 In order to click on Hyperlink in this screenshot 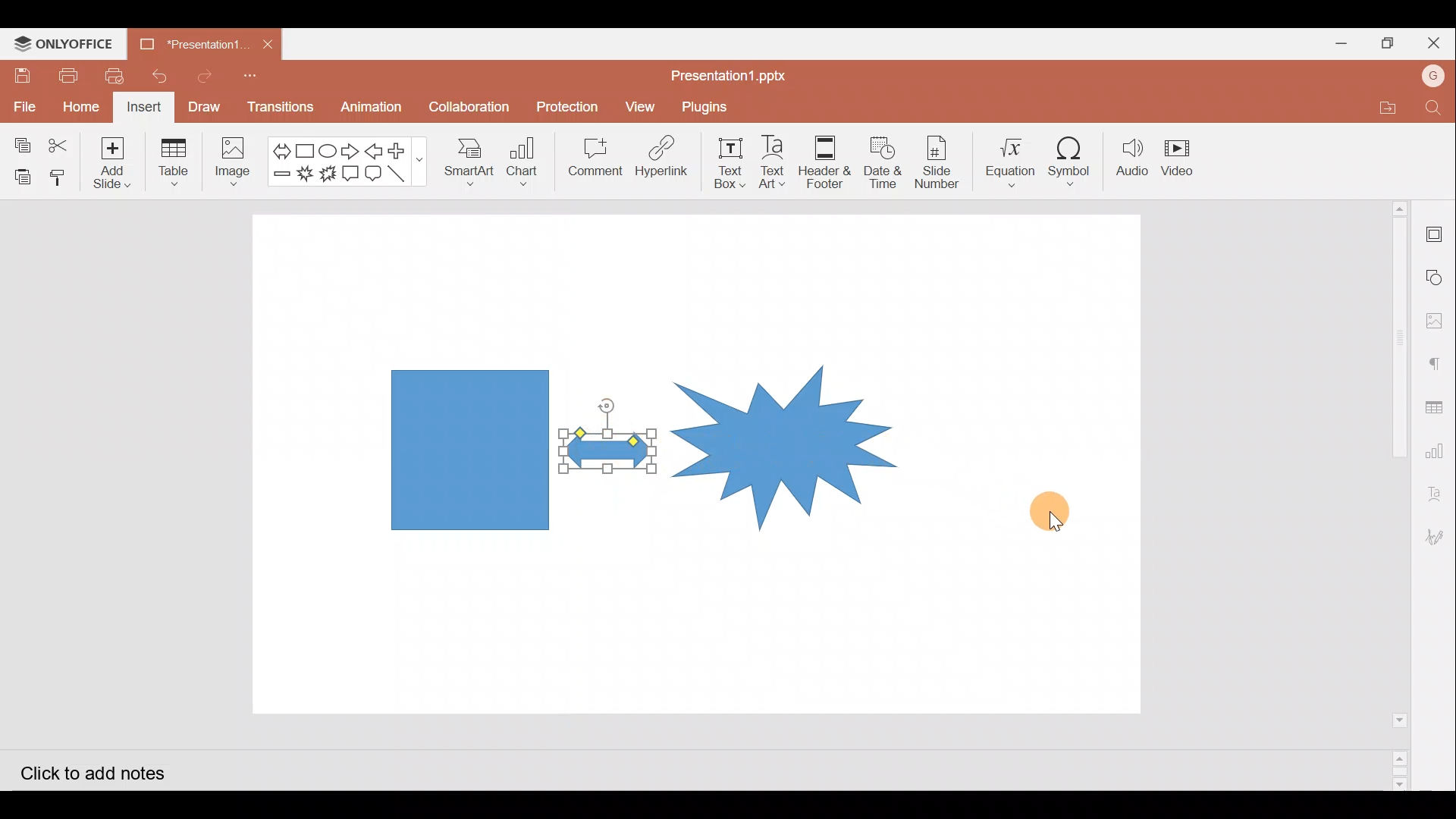, I will do `click(666, 159)`.